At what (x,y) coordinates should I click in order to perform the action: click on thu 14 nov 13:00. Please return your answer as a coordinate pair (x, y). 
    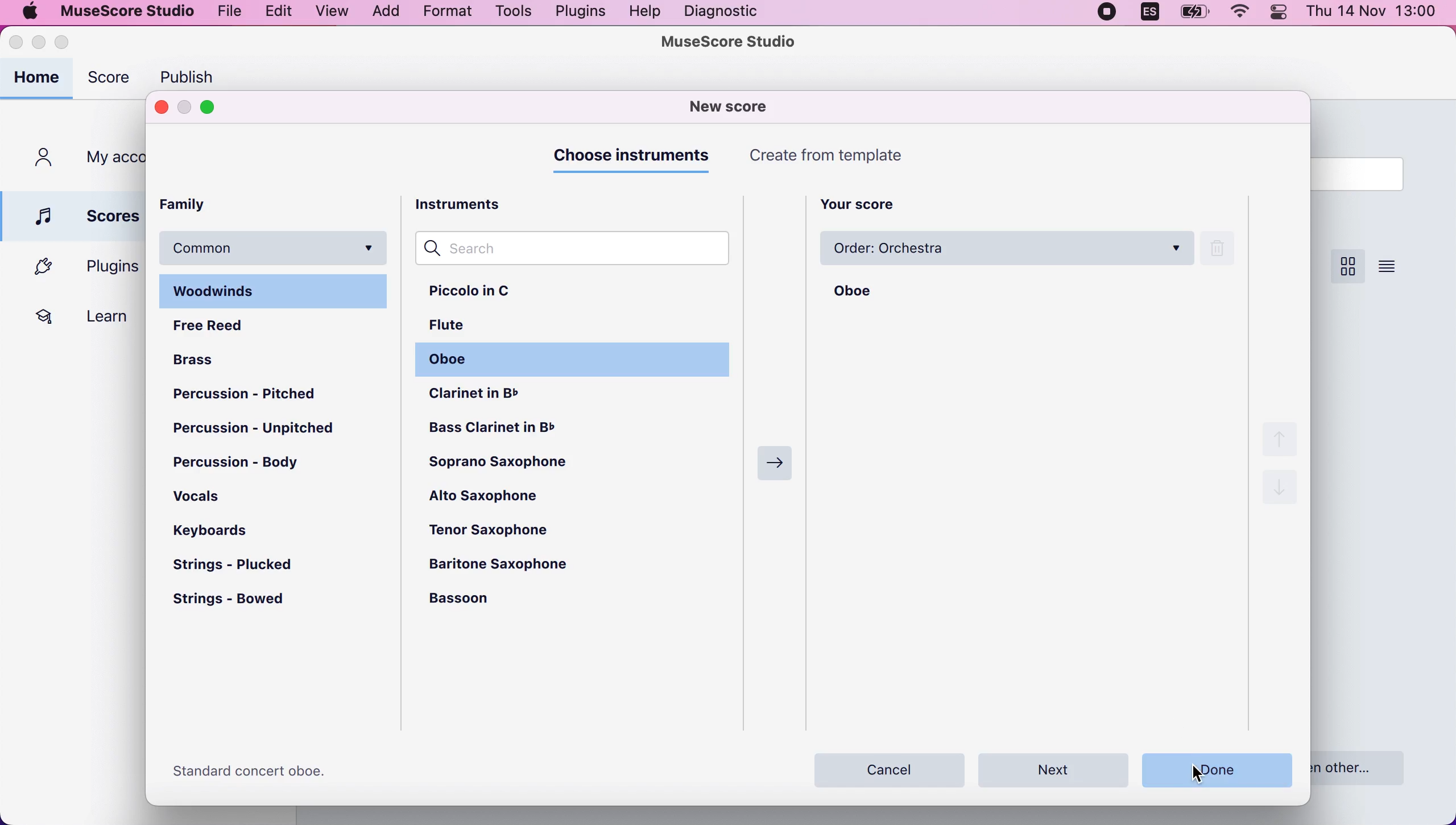
    Looking at the image, I should click on (1373, 13).